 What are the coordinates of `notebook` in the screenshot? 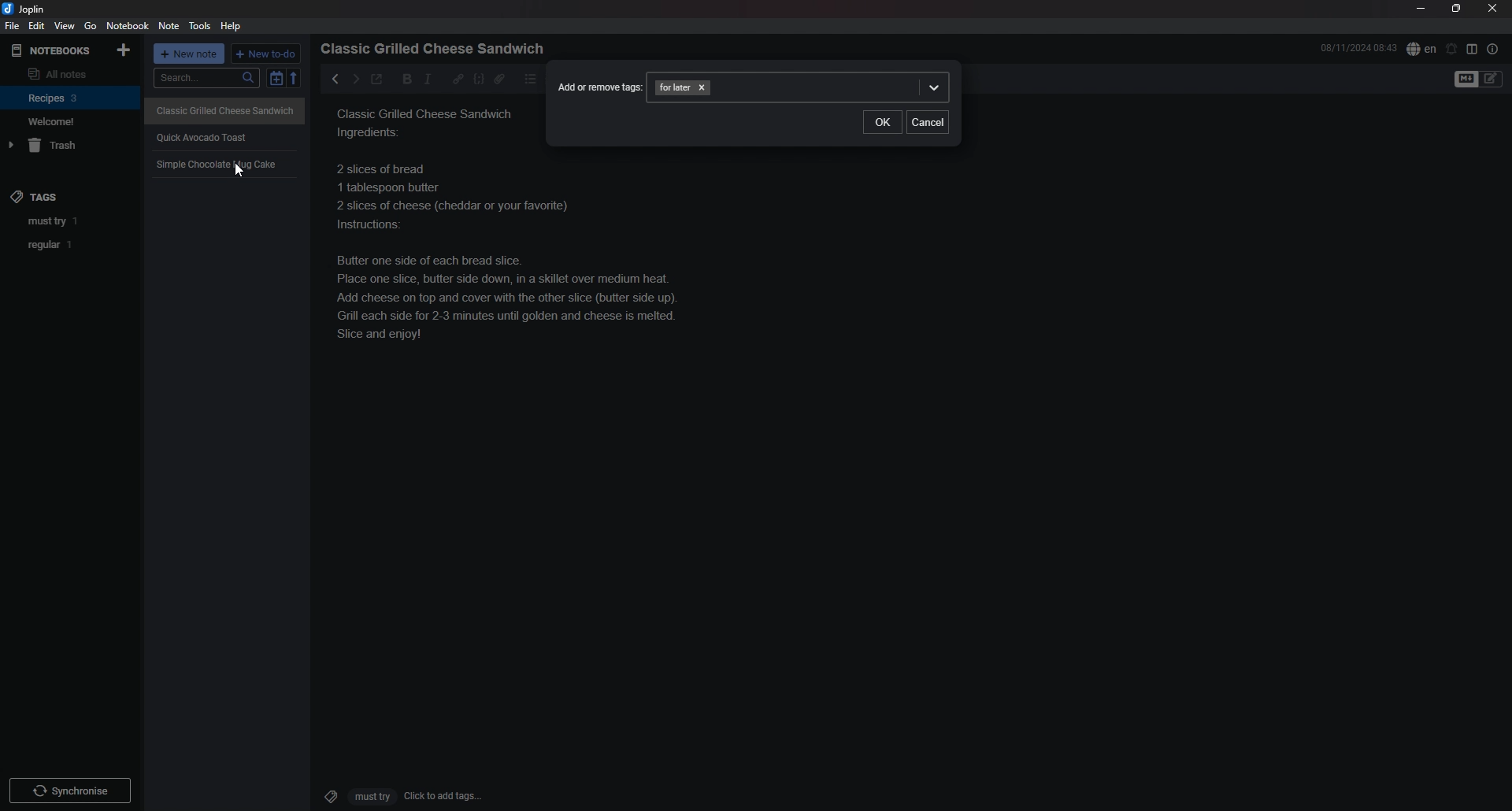 It's located at (71, 97).